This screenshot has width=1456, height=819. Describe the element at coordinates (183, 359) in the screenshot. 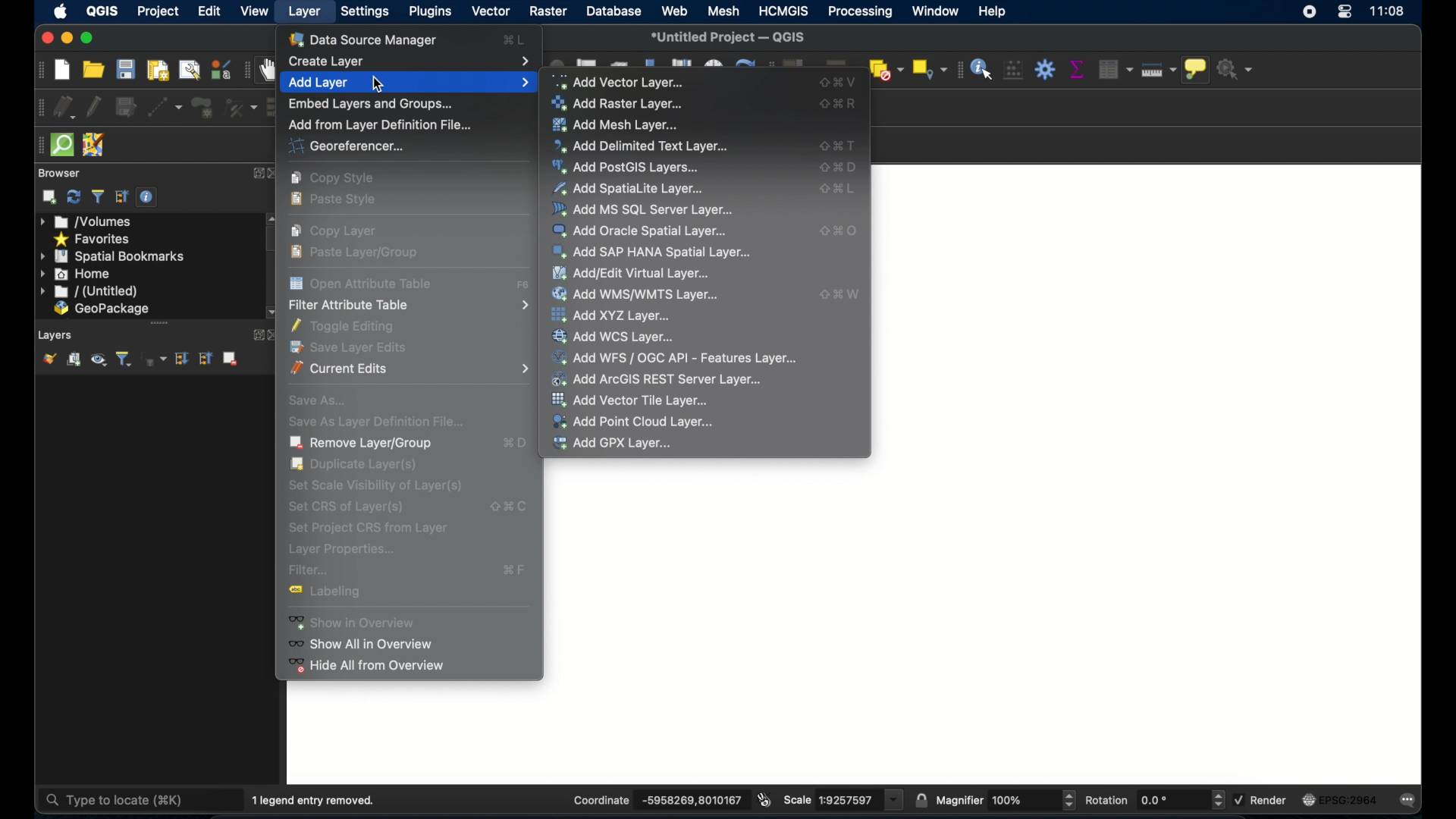

I see `expand all` at that location.